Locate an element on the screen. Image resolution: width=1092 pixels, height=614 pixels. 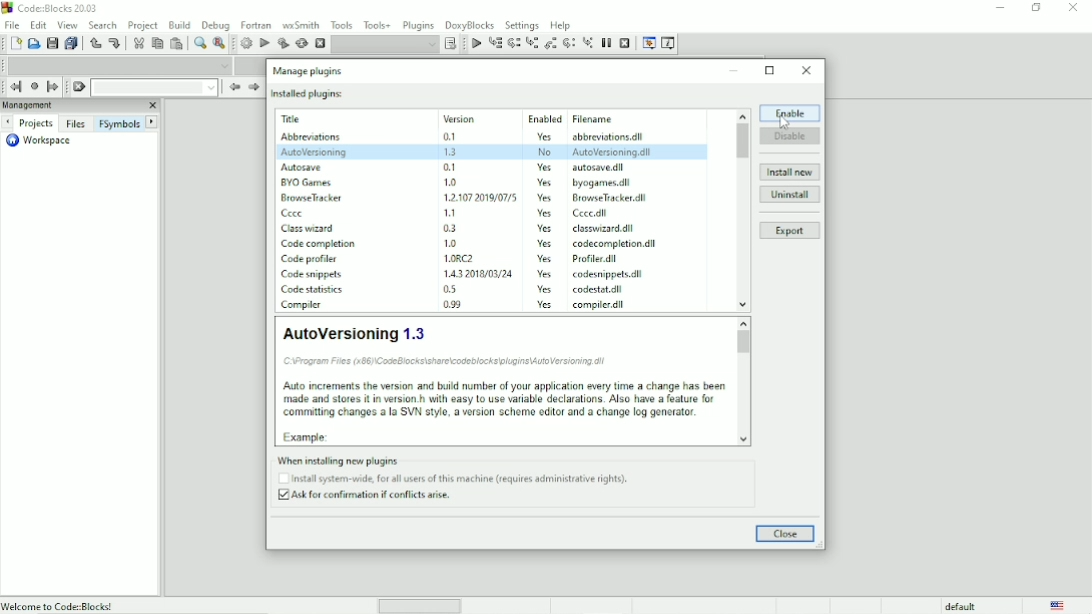
Yes is located at coordinates (544, 259).